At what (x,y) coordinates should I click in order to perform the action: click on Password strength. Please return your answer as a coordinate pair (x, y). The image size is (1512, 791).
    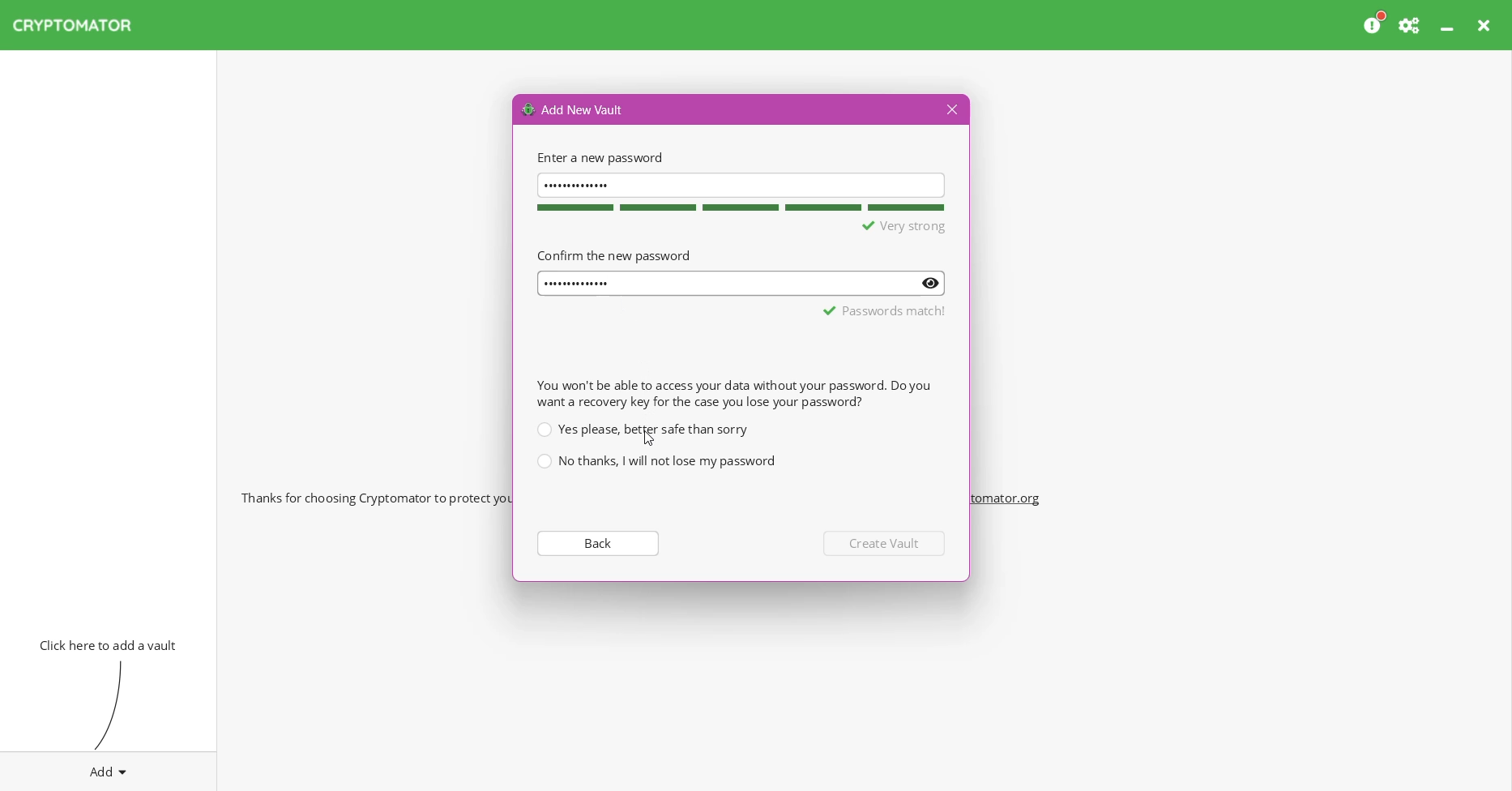
    Looking at the image, I should click on (738, 207).